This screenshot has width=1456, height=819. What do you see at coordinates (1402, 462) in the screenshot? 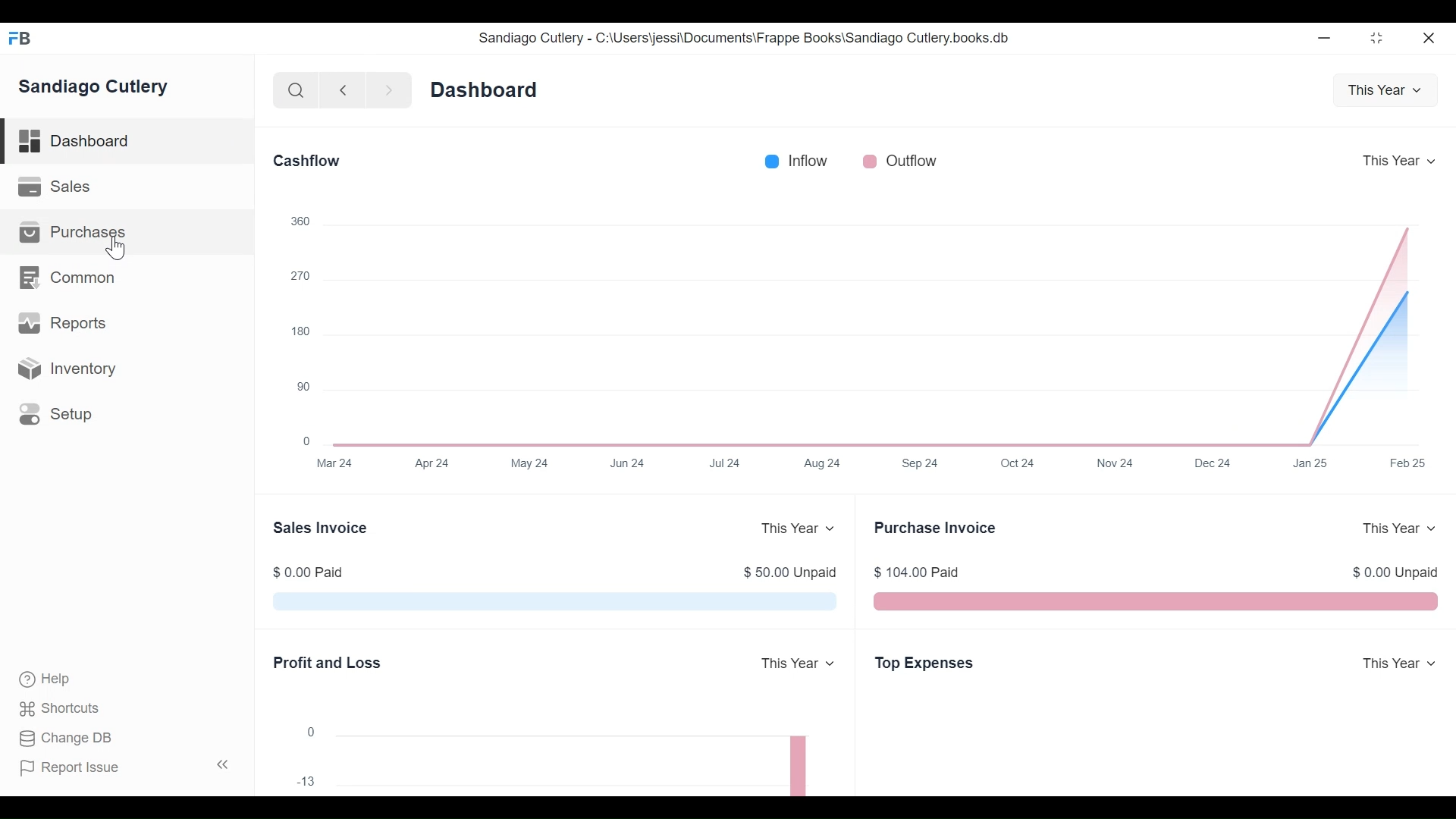
I see `Feb 25` at bounding box center [1402, 462].